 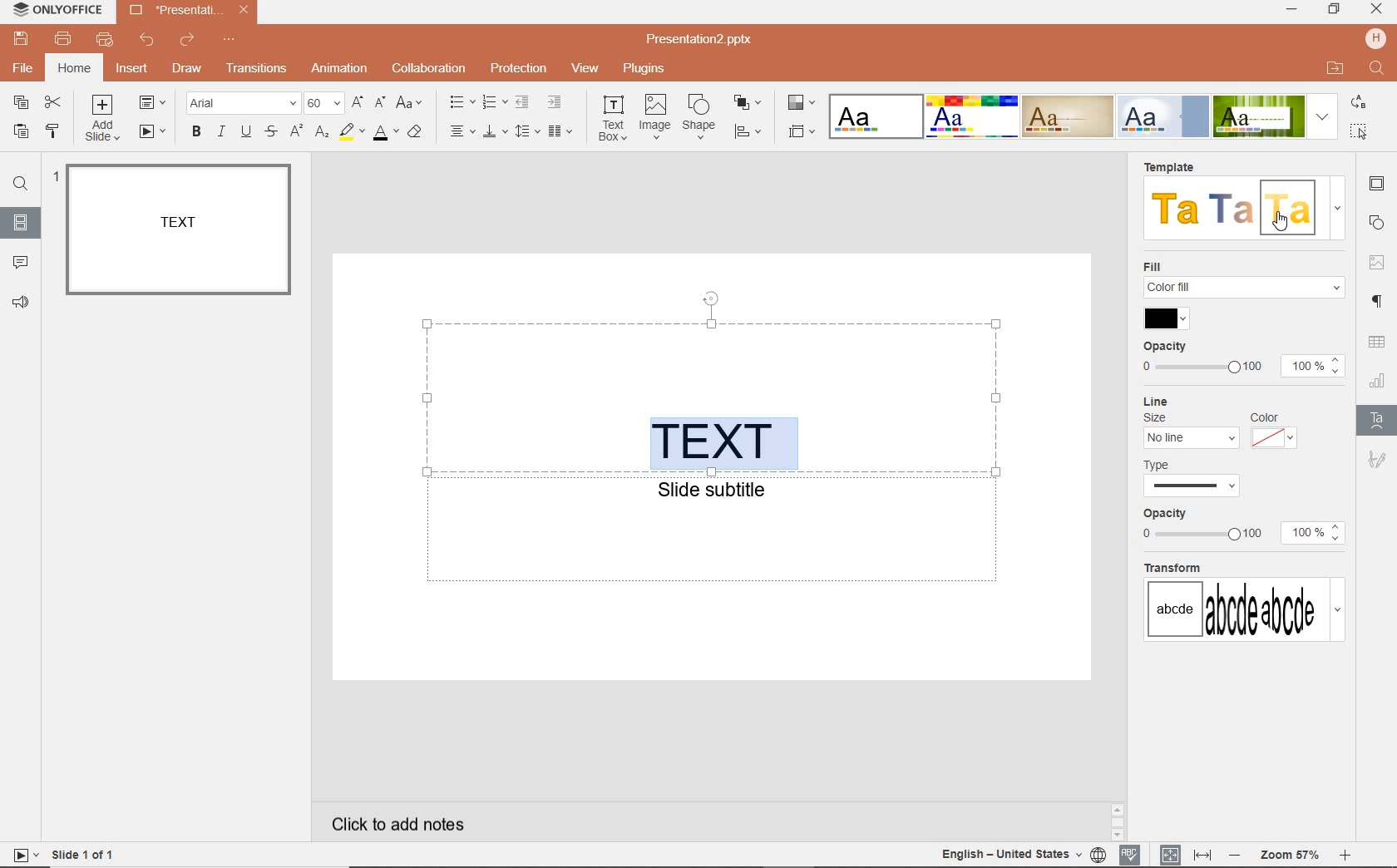 I want to click on CHANGE CASE, so click(x=410, y=103).